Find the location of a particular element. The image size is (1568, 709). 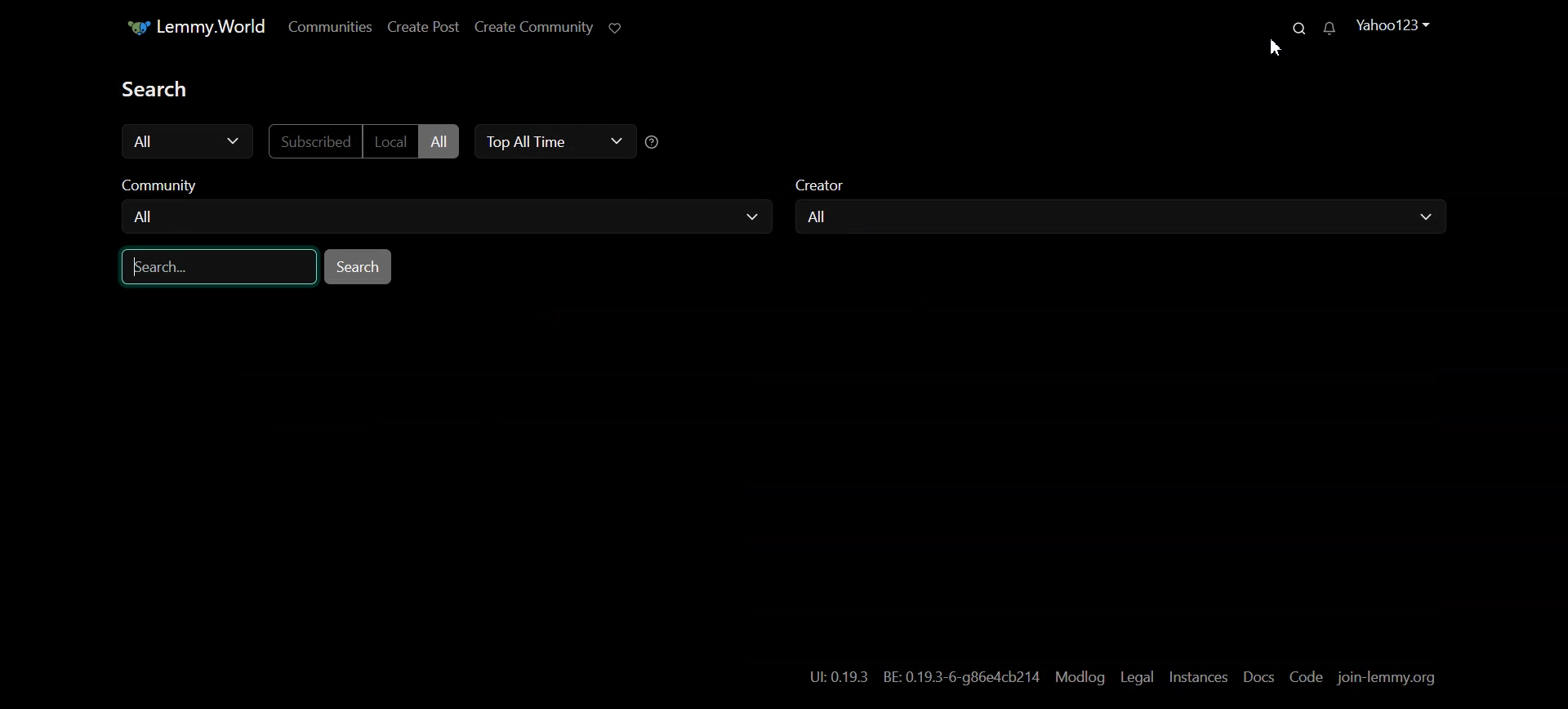

All is located at coordinates (1122, 217).